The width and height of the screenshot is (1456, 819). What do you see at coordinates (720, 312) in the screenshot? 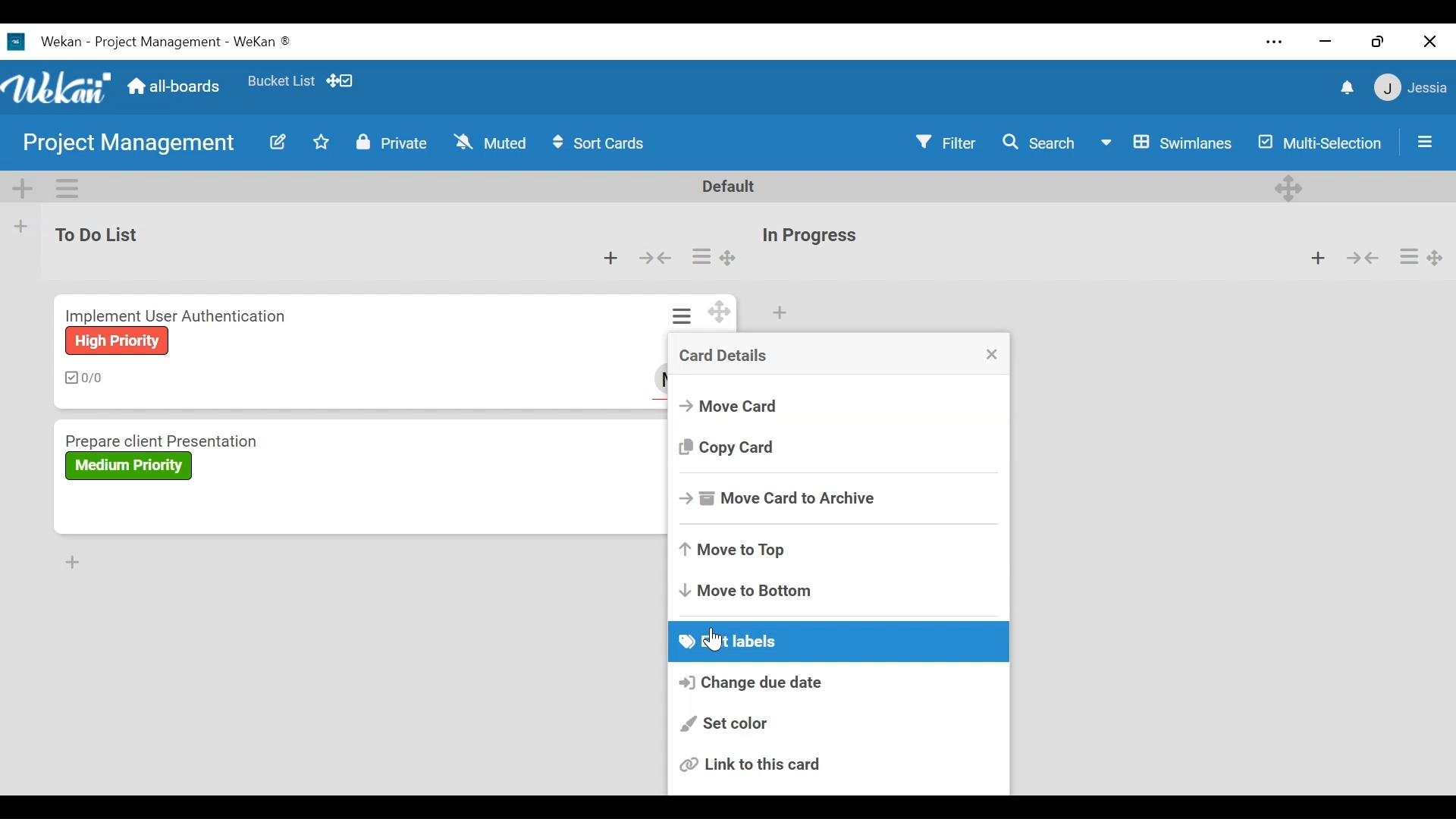
I see `Desktop drag handle` at bounding box center [720, 312].